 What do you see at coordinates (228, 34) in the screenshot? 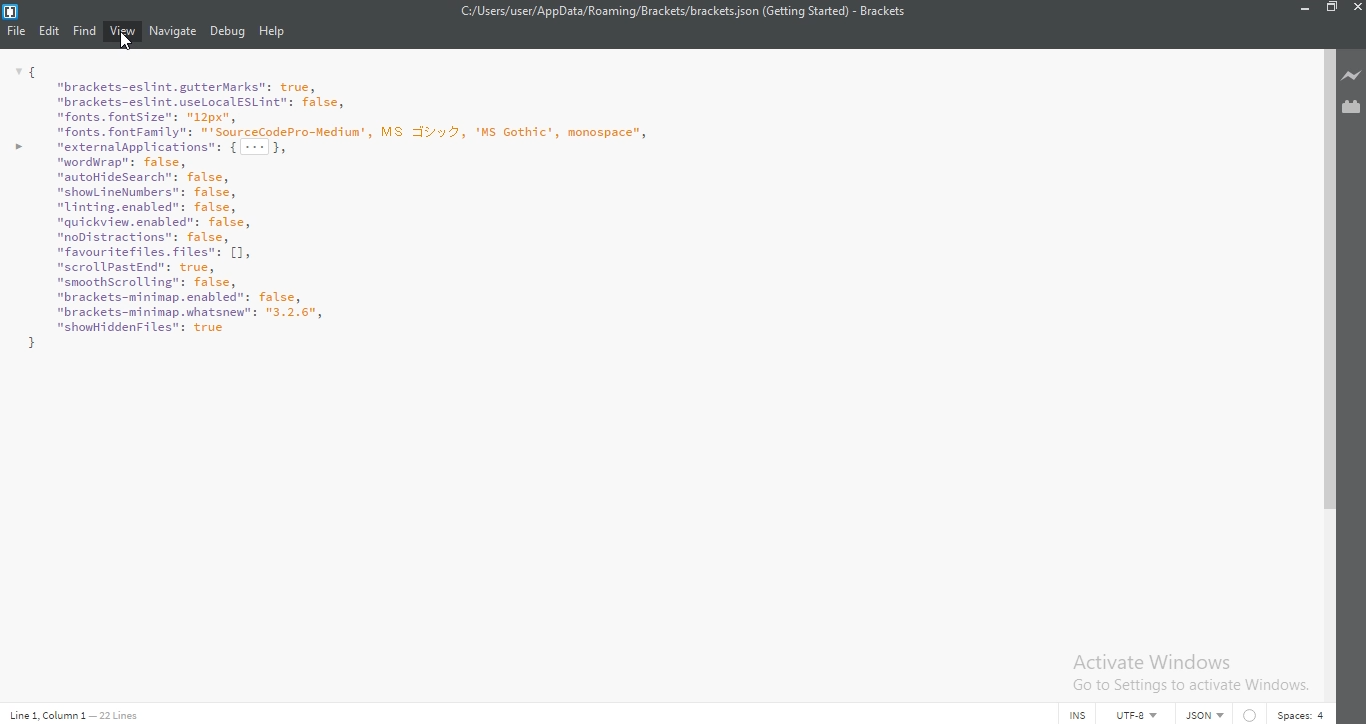
I see `Debug` at bounding box center [228, 34].